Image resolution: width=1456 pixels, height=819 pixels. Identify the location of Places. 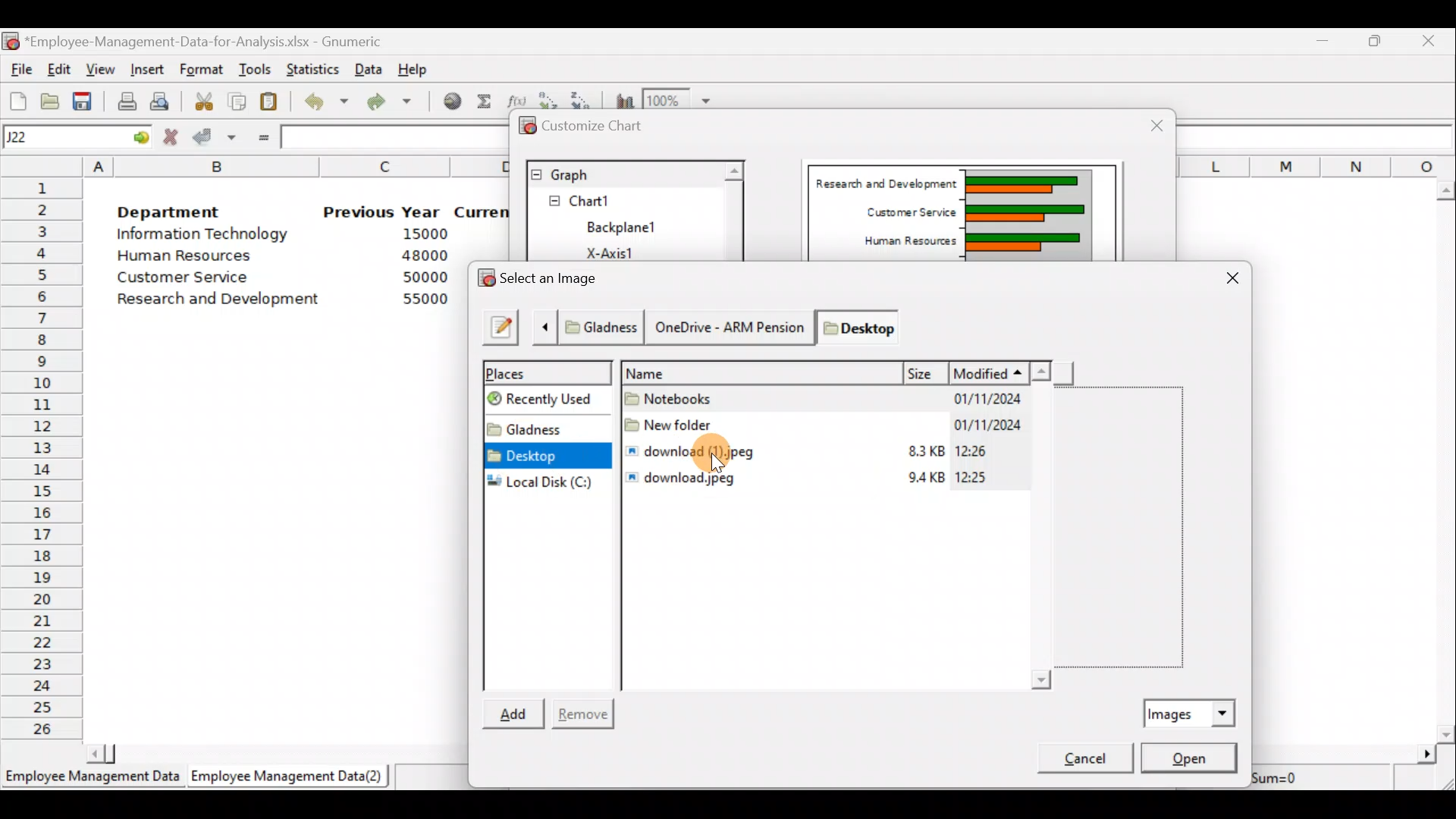
(549, 371).